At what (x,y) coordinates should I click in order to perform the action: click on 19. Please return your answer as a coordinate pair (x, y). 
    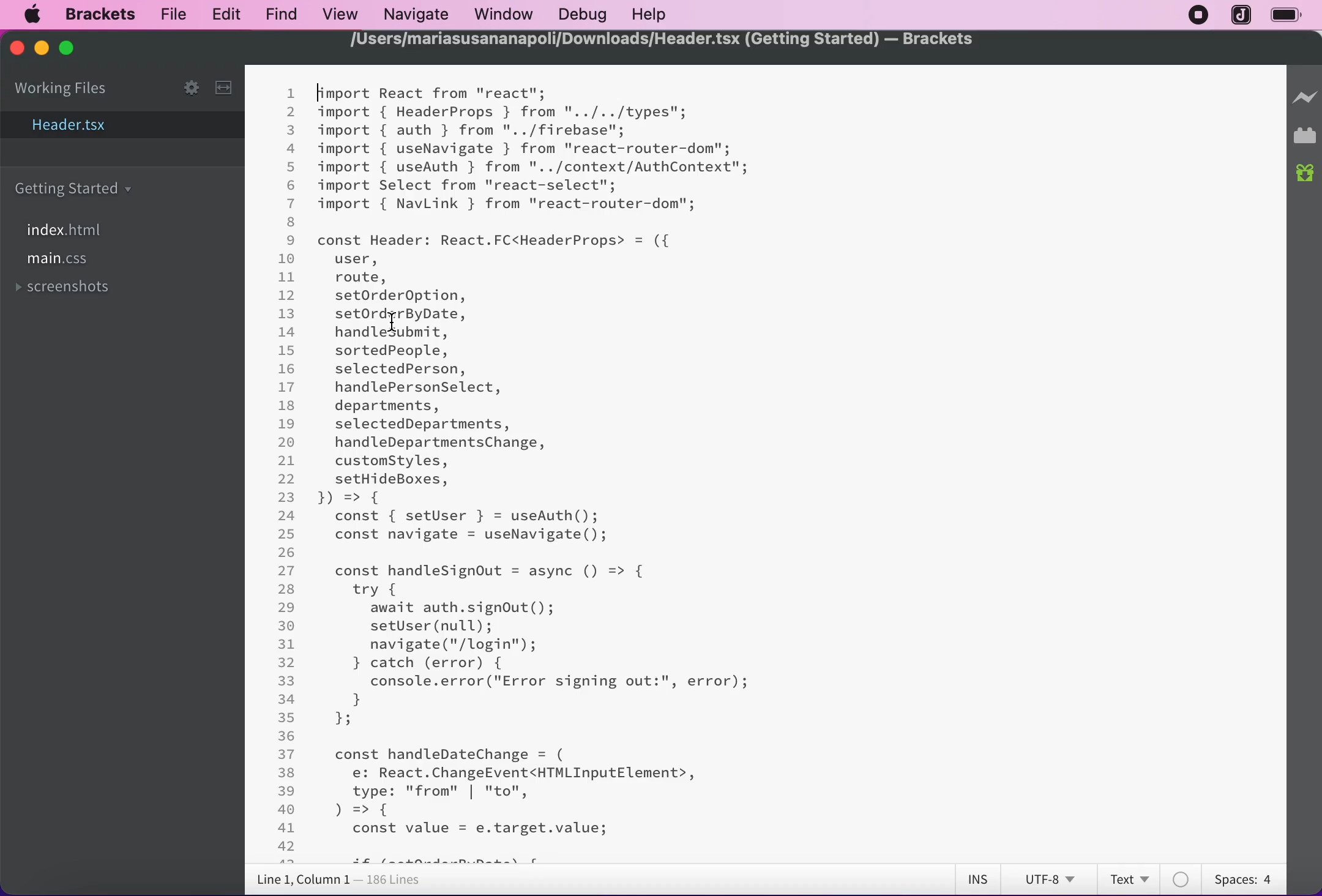
    Looking at the image, I should click on (288, 424).